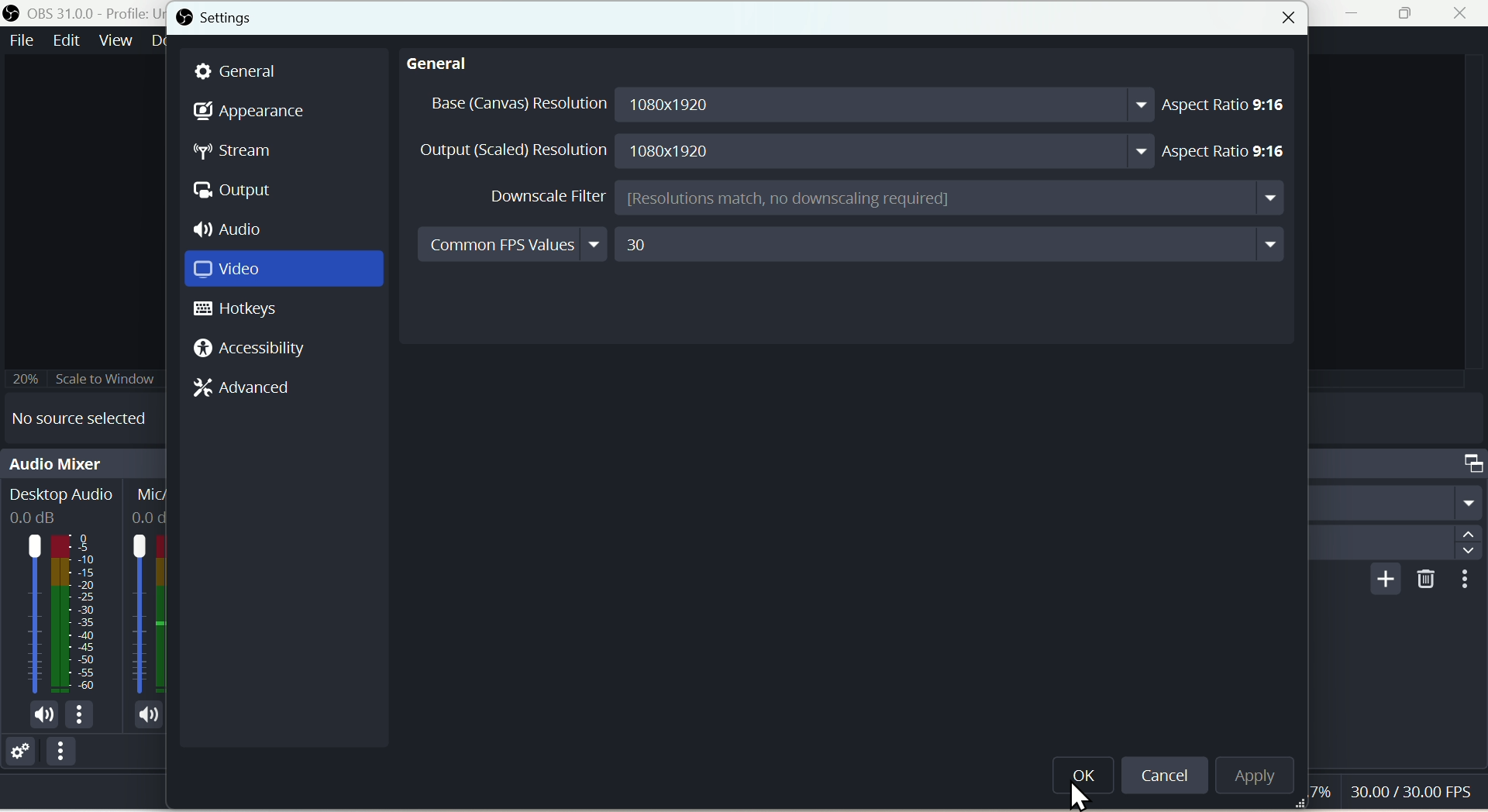 The width and height of the screenshot is (1488, 812). Describe the element at coordinates (1086, 783) in the screenshot. I see `okay` at that location.